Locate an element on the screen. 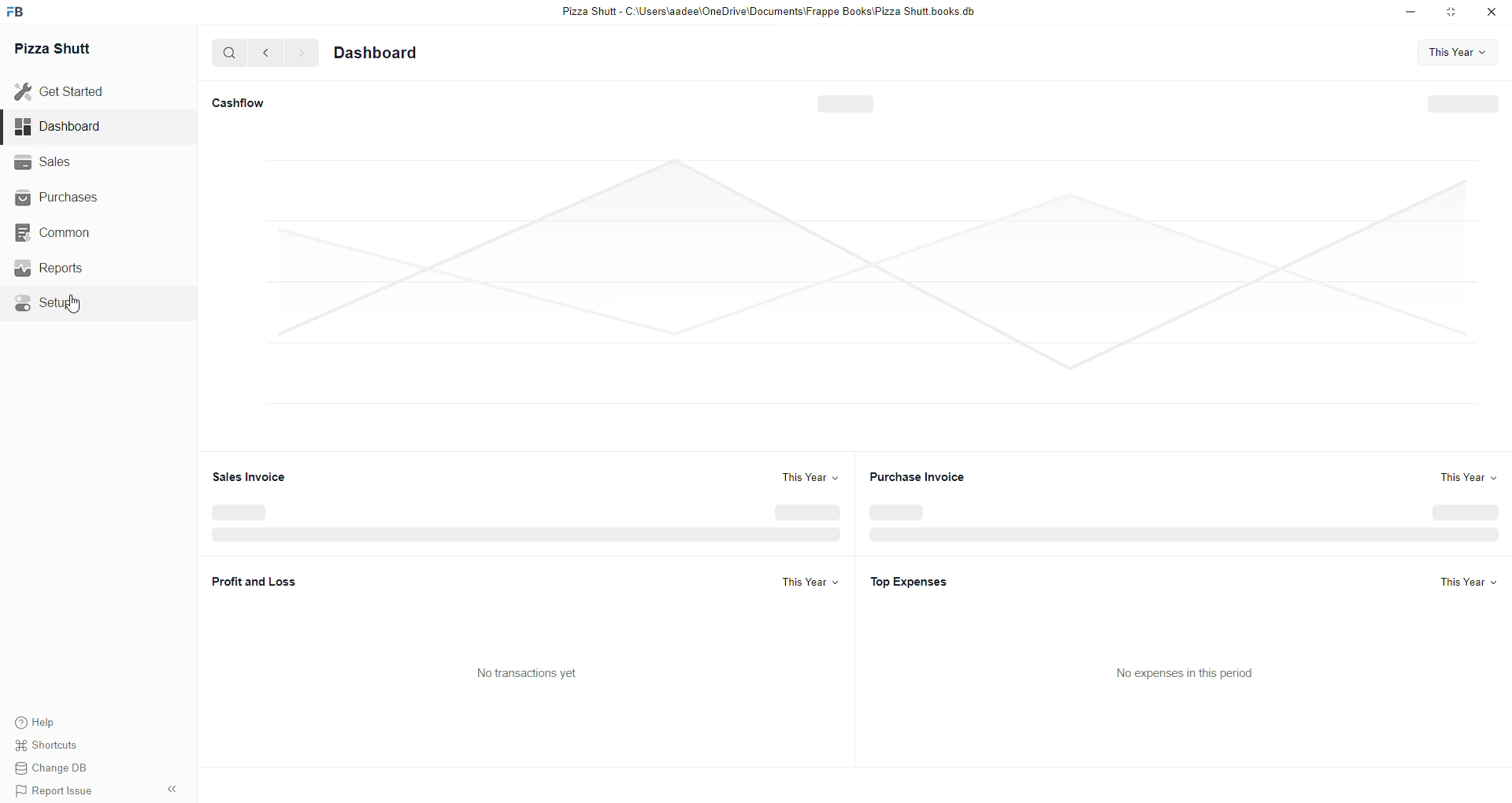 The image size is (1512, 803). No expenses in this period is located at coordinates (1194, 675).